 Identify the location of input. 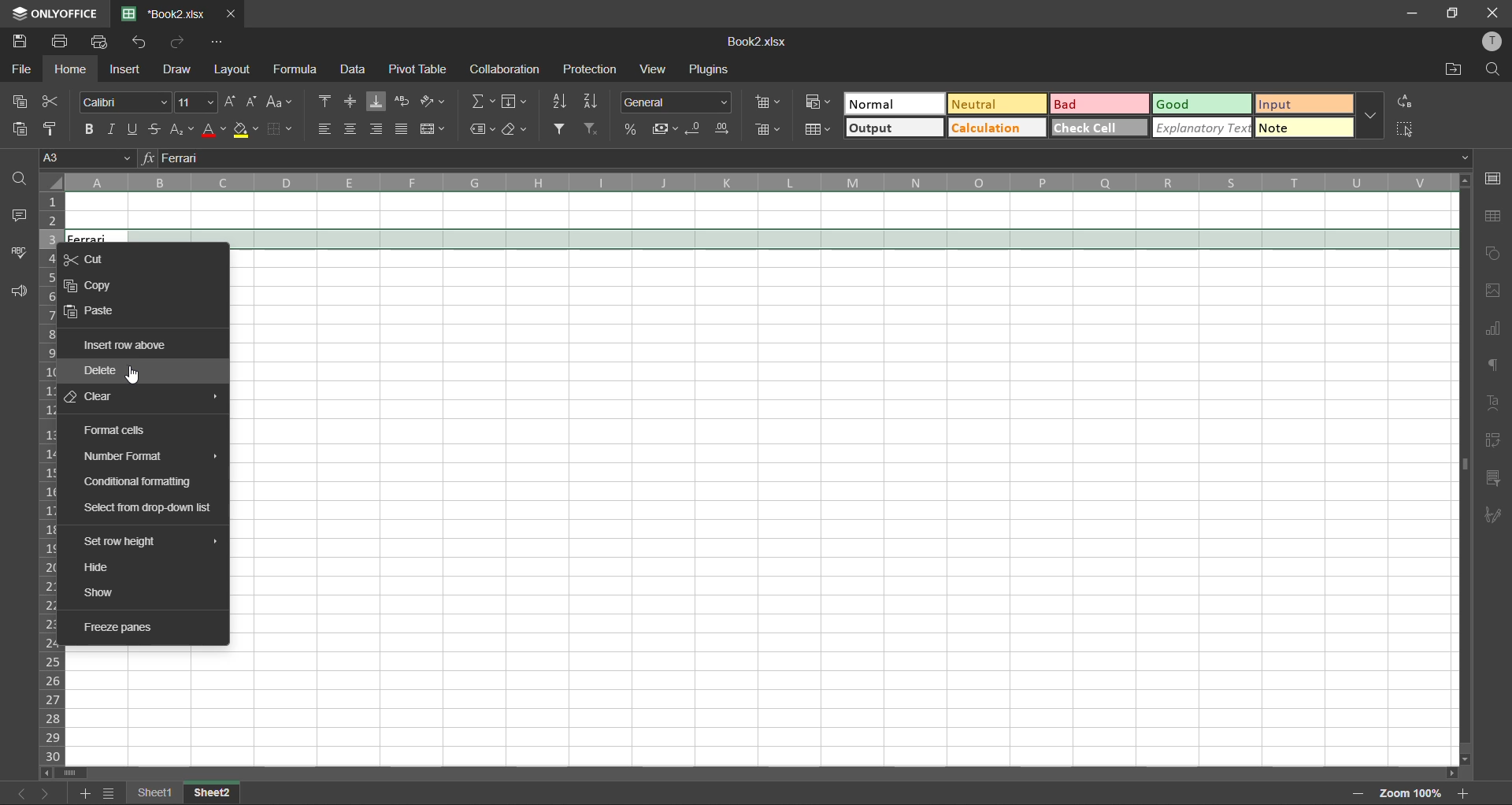
(1299, 103).